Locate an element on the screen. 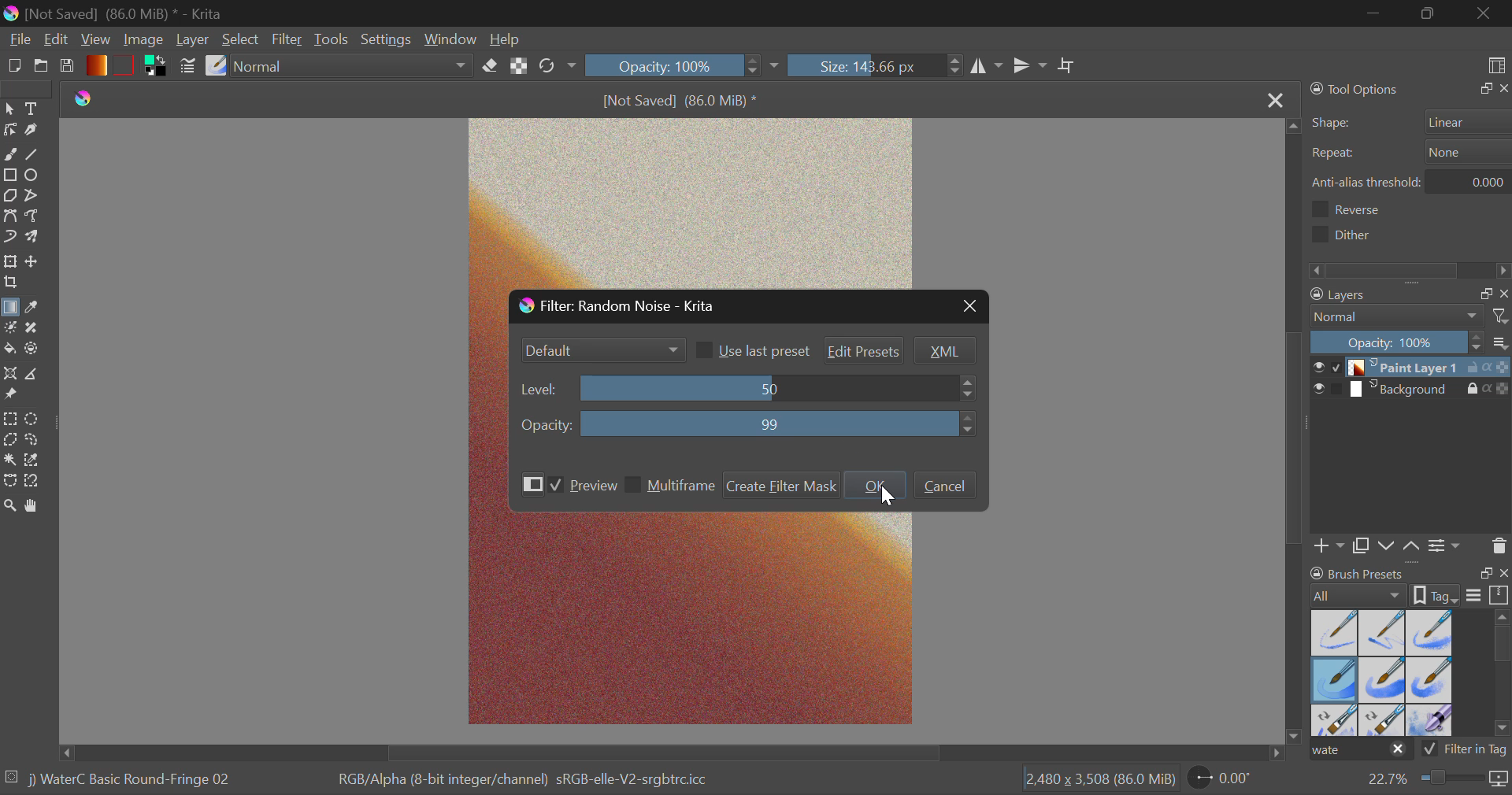 This screenshot has width=1512, height=795. XML is located at coordinates (945, 351).